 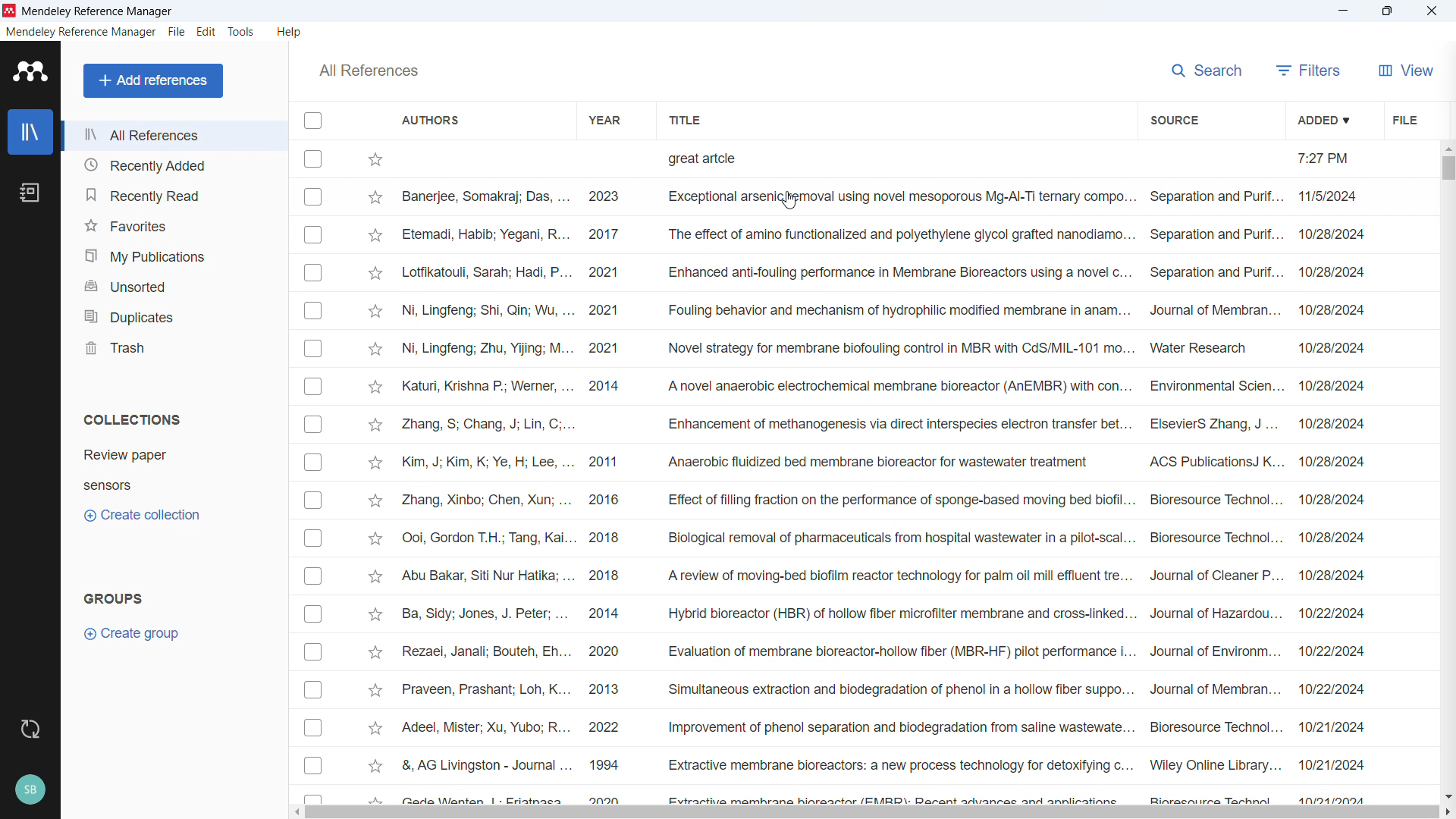 I want to click on Collection 1 , so click(x=125, y=454).